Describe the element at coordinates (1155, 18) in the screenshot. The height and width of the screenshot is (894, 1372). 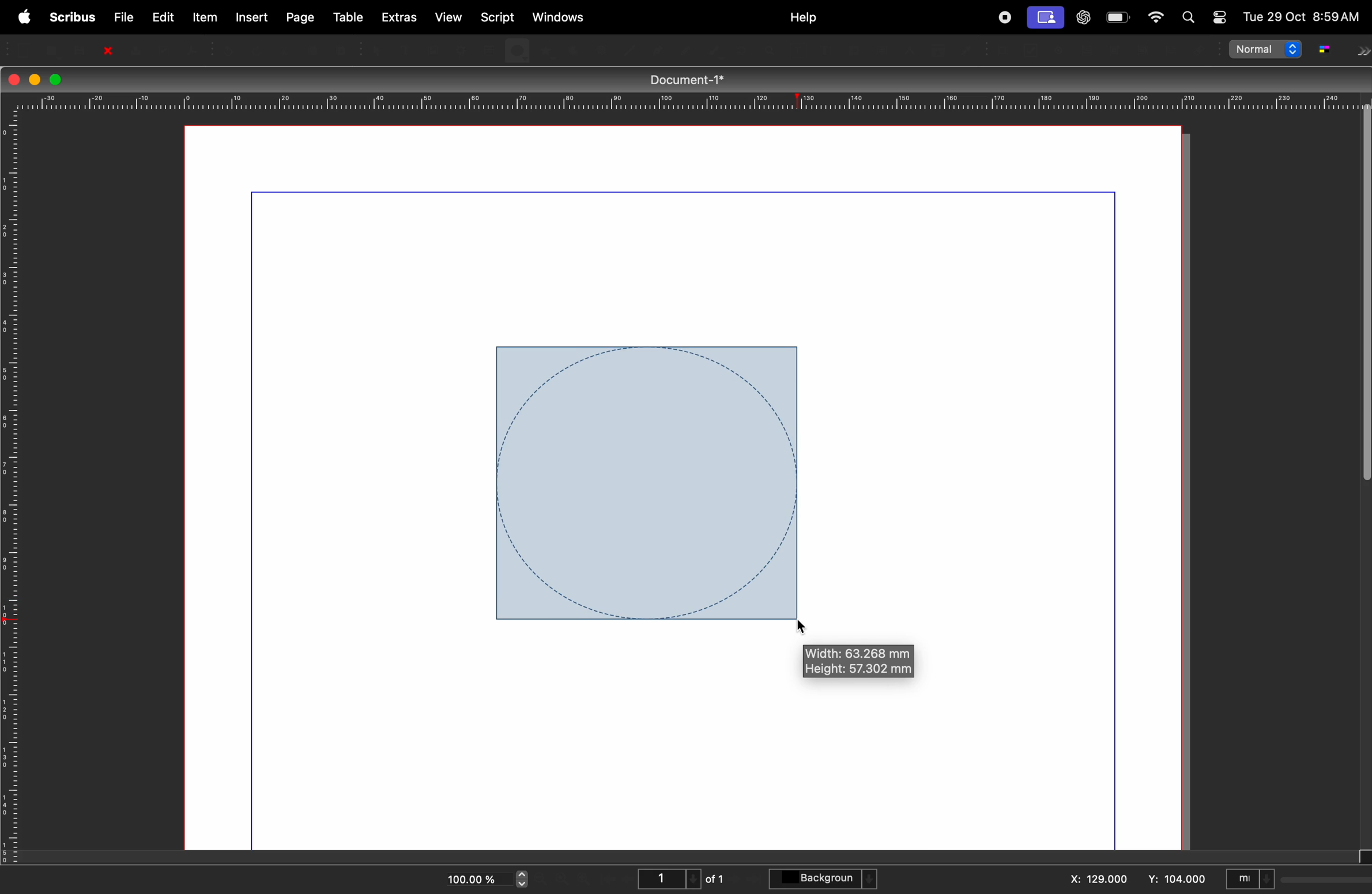
I see `apple widgets` at that location.